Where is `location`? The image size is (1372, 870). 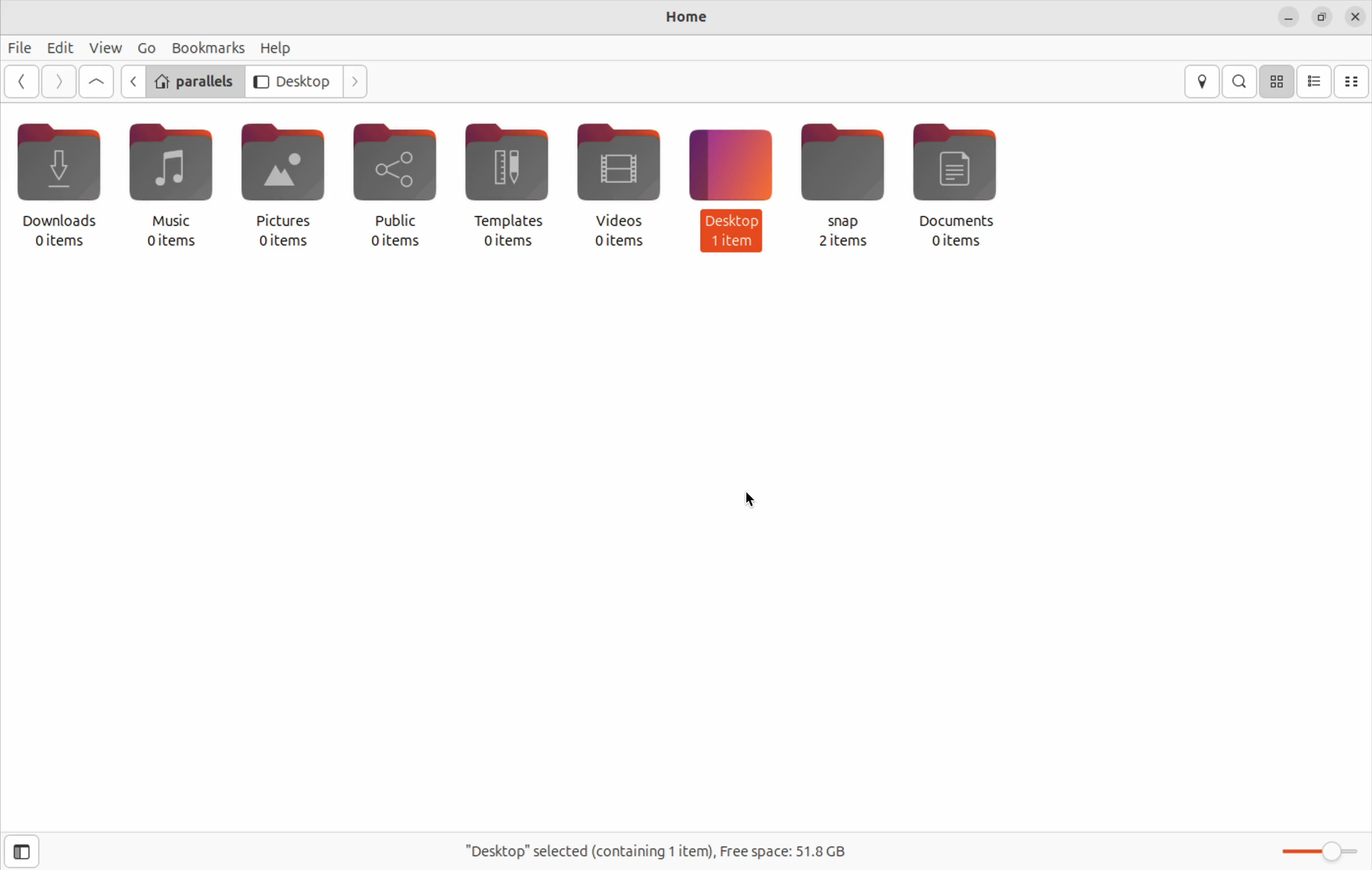 location is located at coordinates (1203, 82).